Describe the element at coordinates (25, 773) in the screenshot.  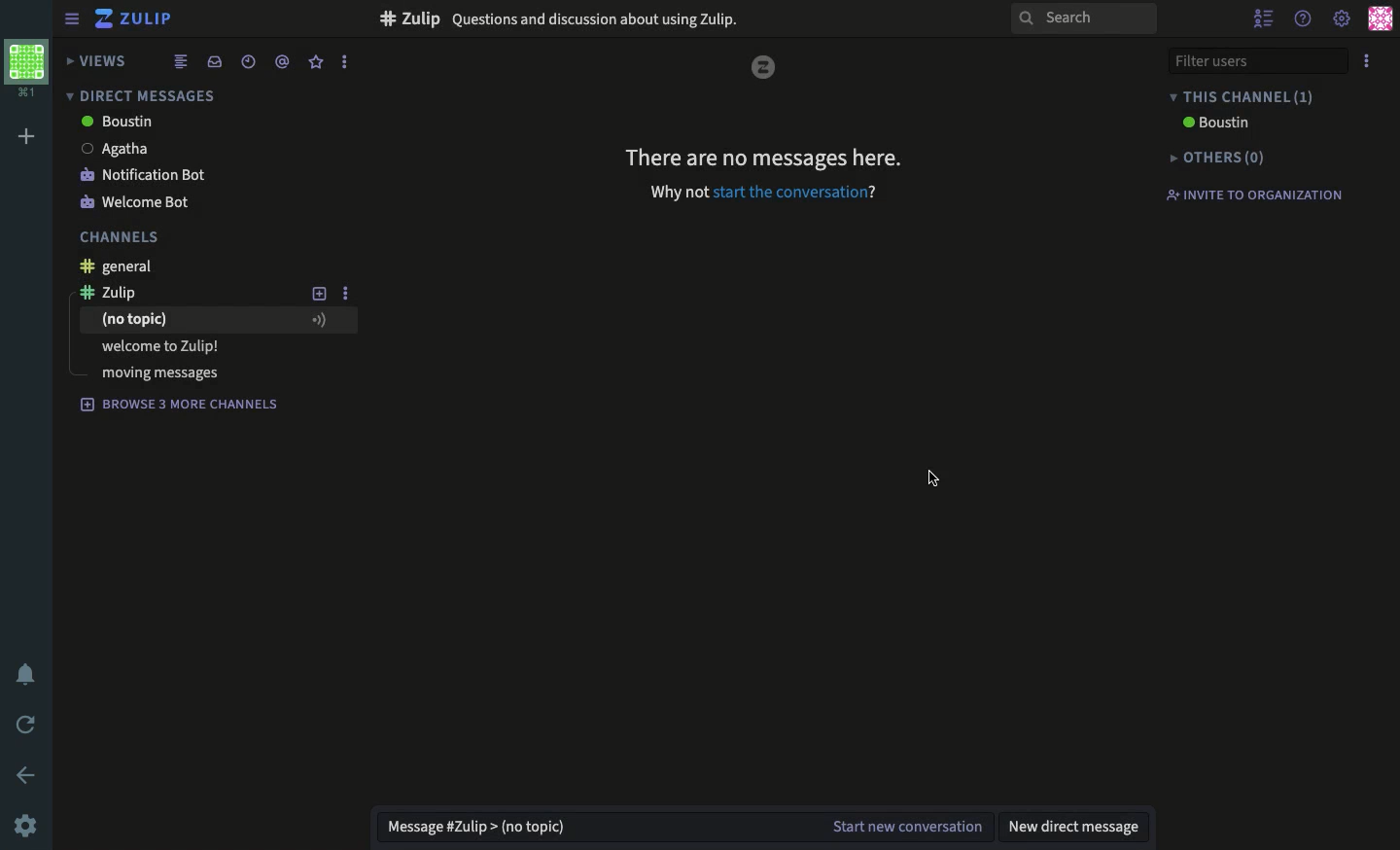
I see `back` at that location.